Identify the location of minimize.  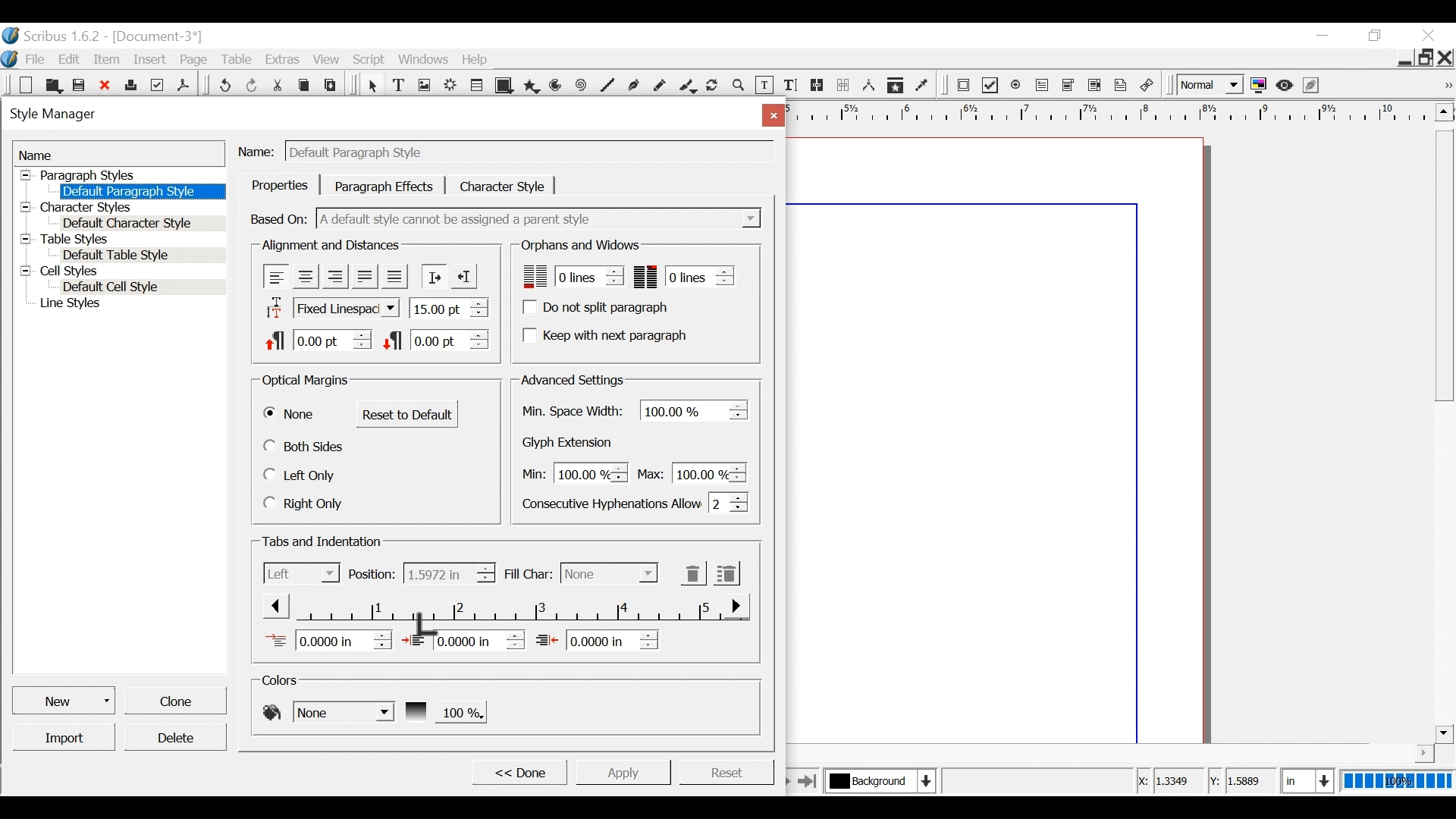
(1322, 35).